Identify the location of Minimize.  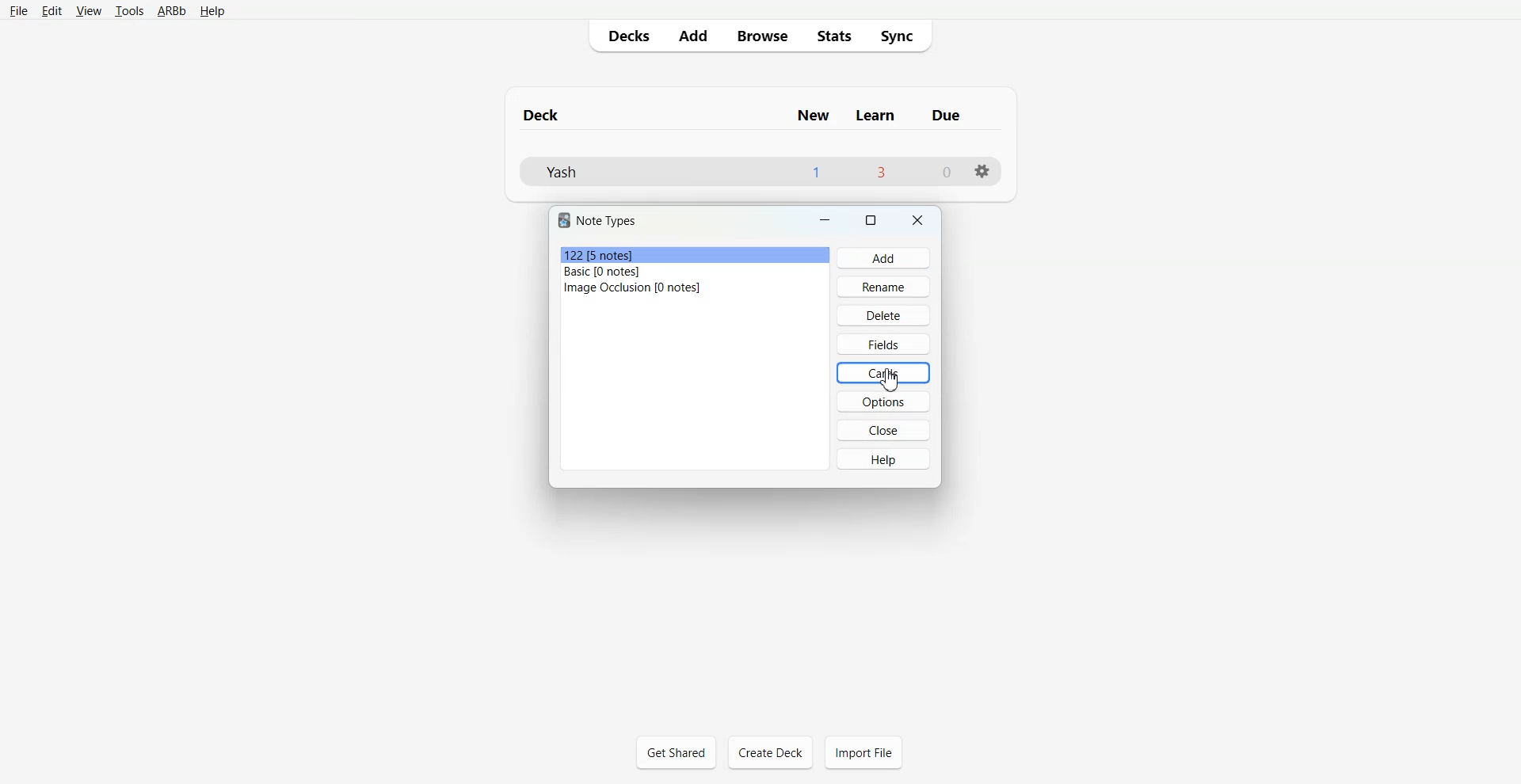
(824, 220).